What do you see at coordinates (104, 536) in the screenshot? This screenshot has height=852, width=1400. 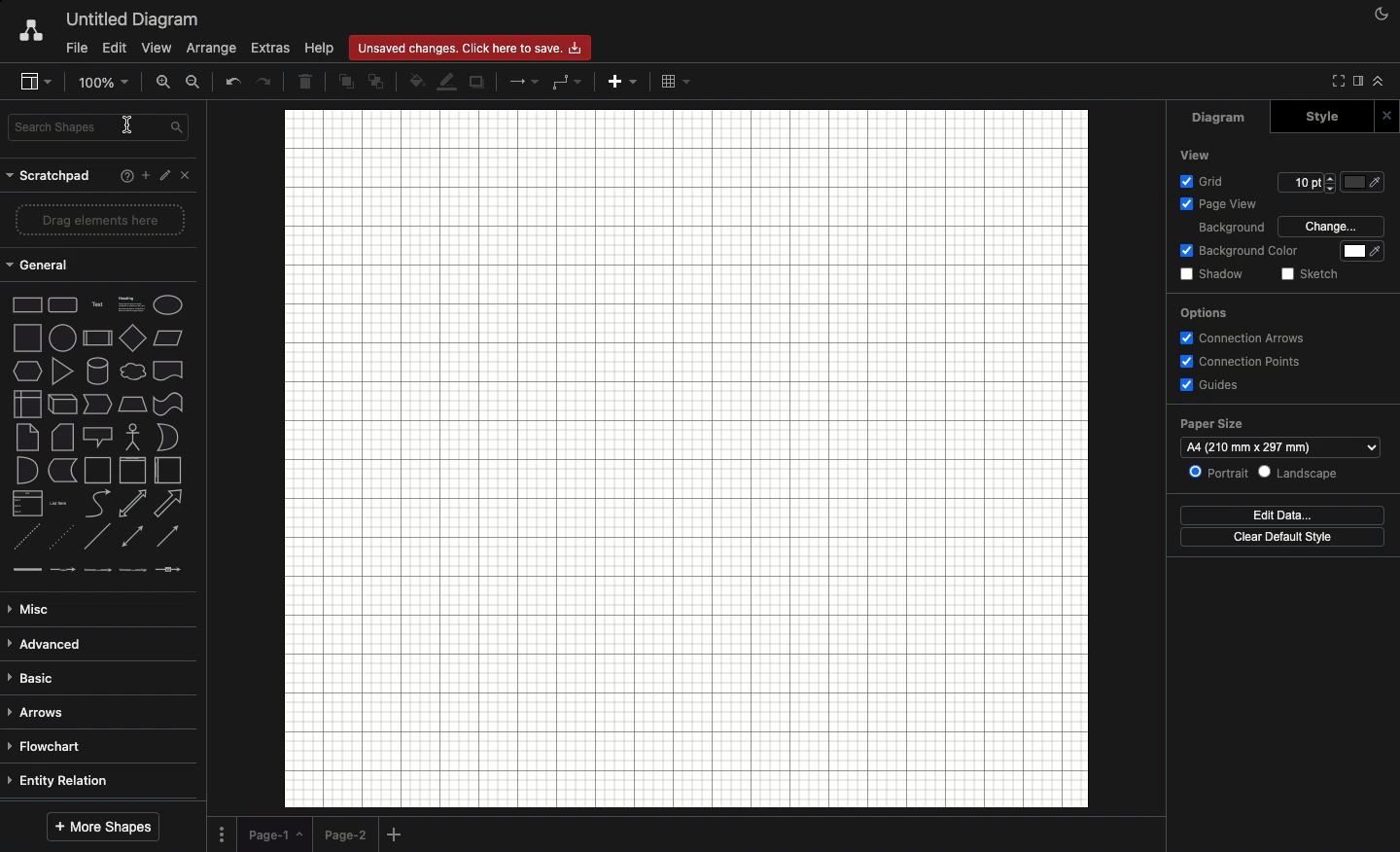 I see `type of arrow` at bounding box center [104, 536].